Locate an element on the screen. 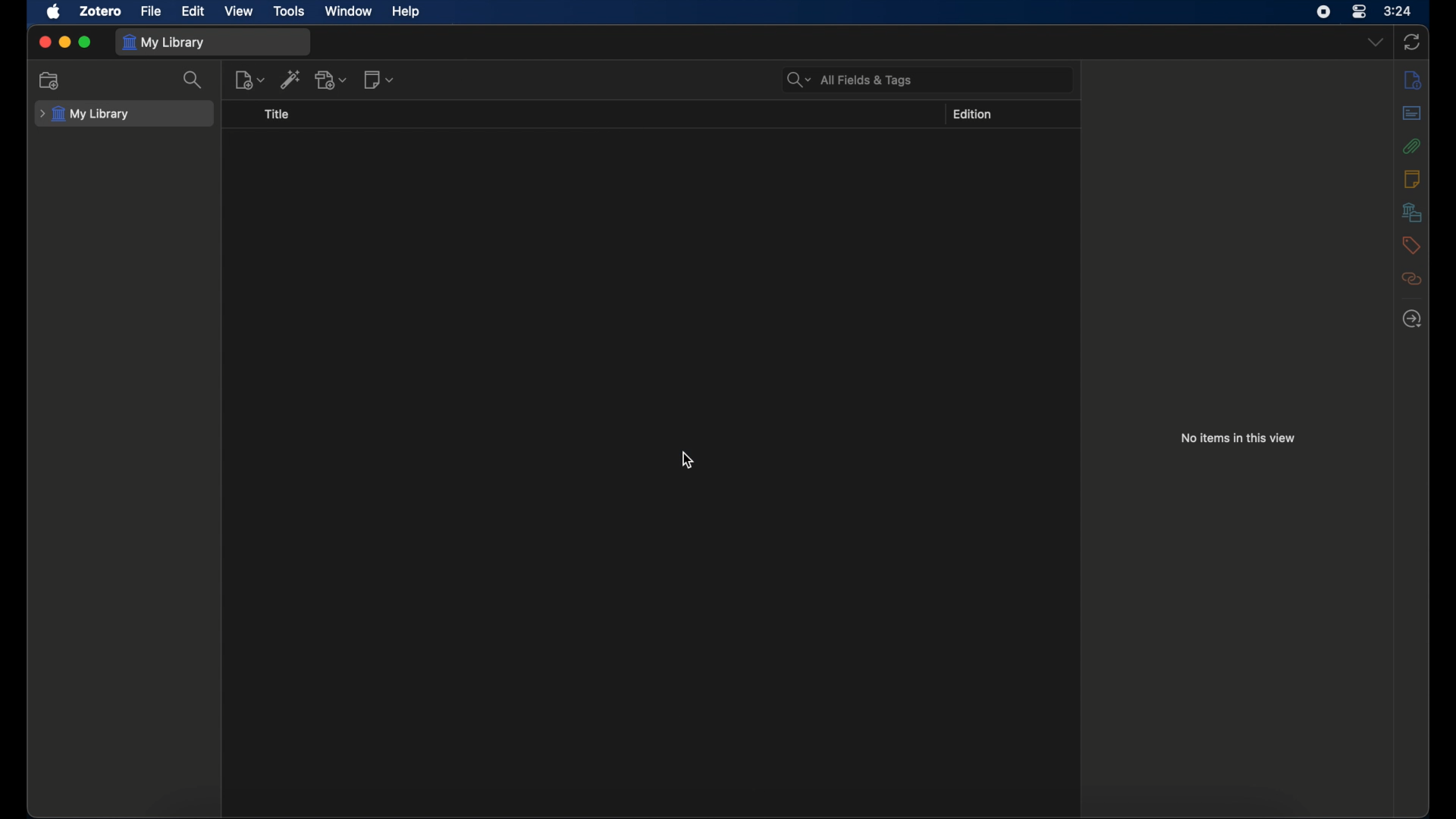 The image size is (1456, 819). abstract is located at coordinates (1412, 112).